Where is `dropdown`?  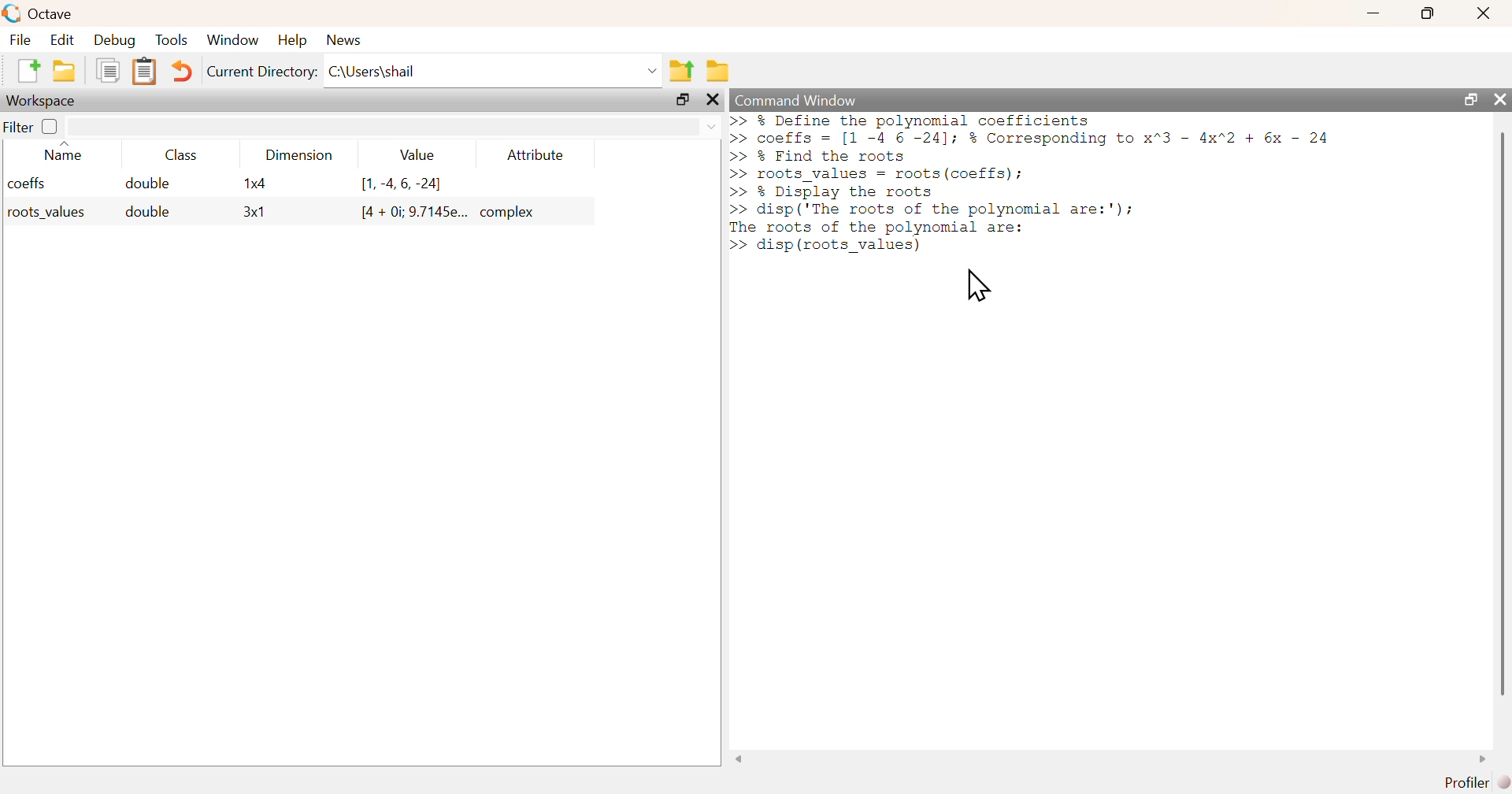
dropdown is located at coordinates (650, 70).